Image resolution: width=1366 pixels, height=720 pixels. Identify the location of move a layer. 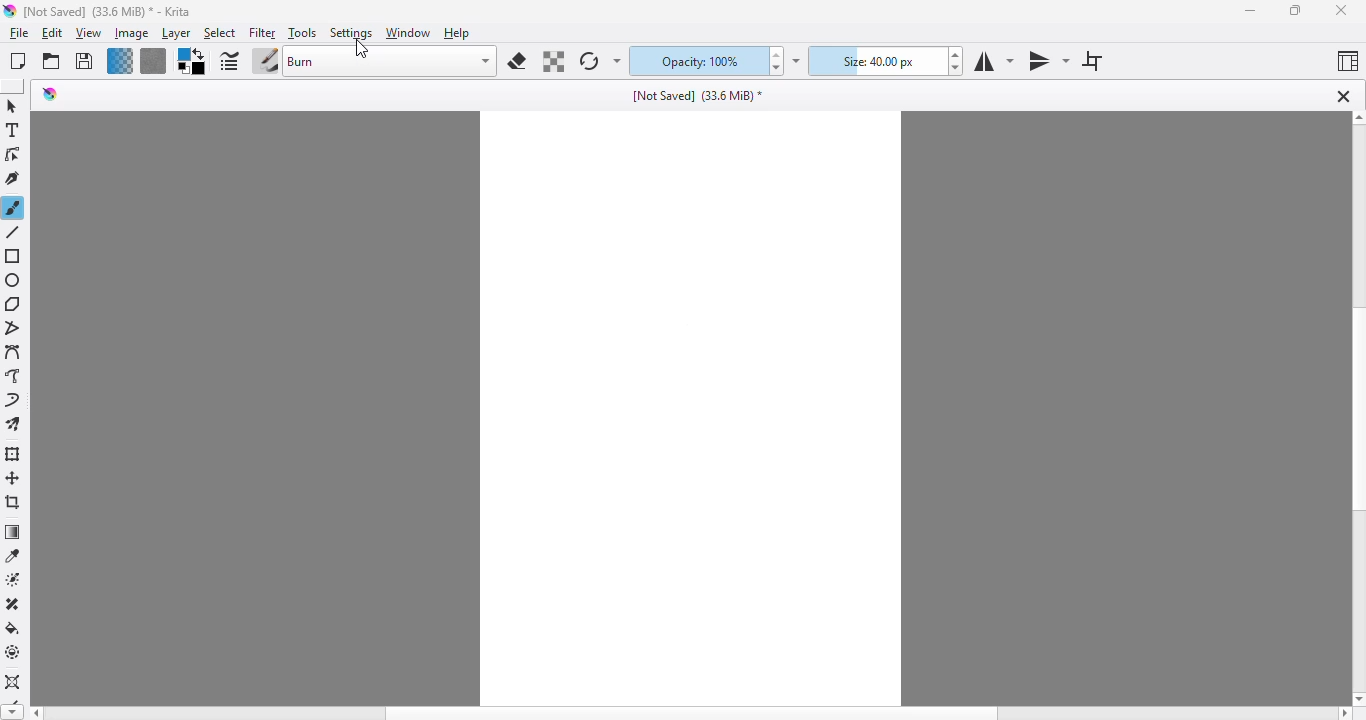
(13, 478).